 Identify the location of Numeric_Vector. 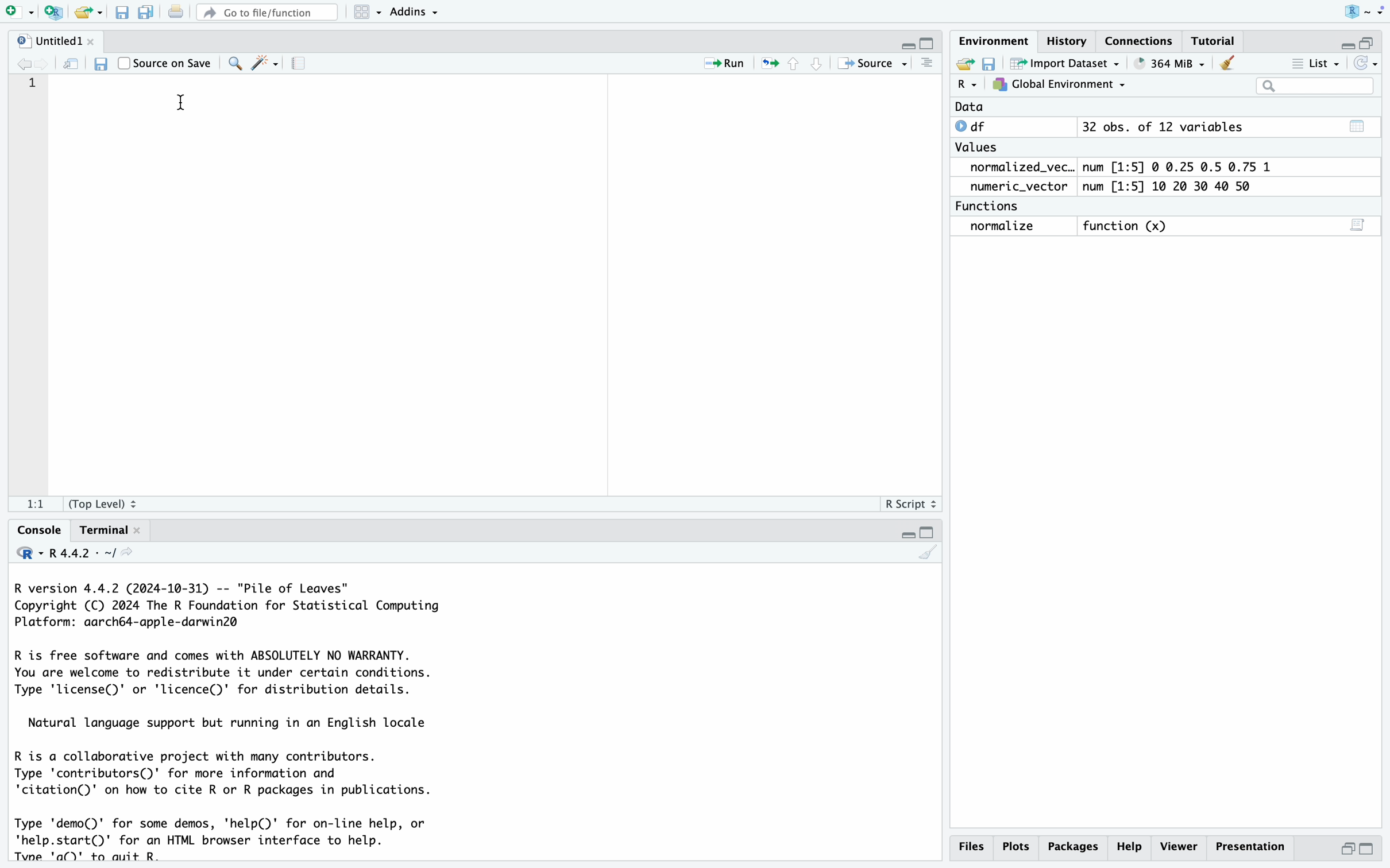
(1014, 187).